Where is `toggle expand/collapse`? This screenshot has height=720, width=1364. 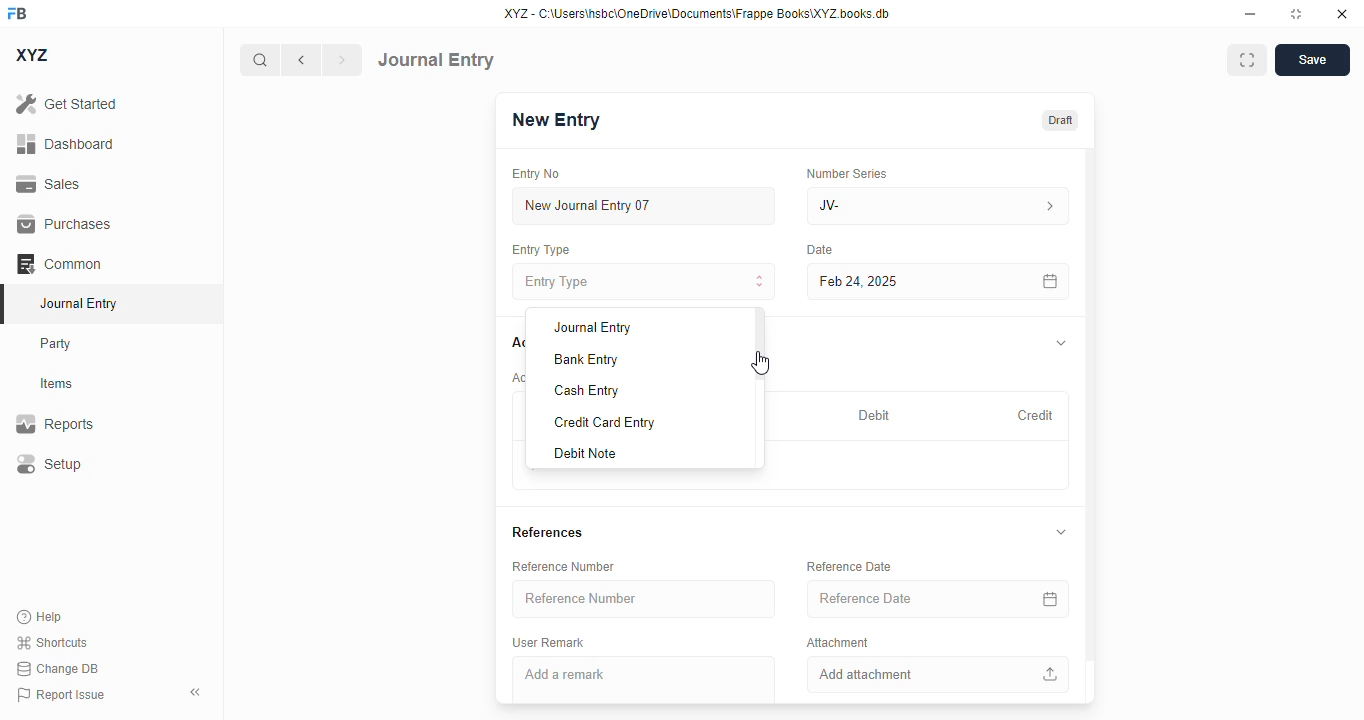 toggle expand/collapse is located at coordinates (1062, 342).